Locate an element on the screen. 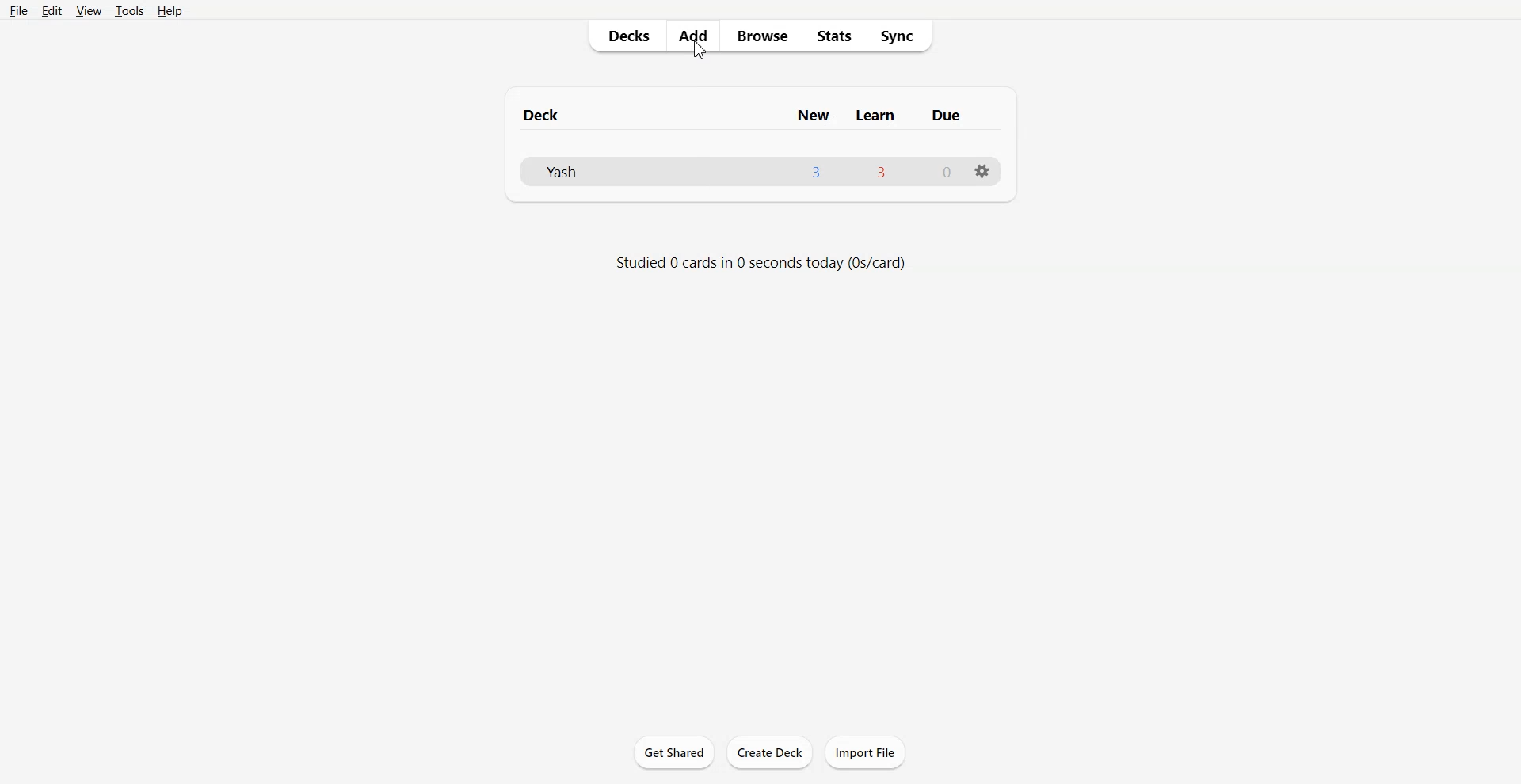 Image resolution: width=1521 pixels, height=784 pixels. 0 is located at coordinates (947, 171).